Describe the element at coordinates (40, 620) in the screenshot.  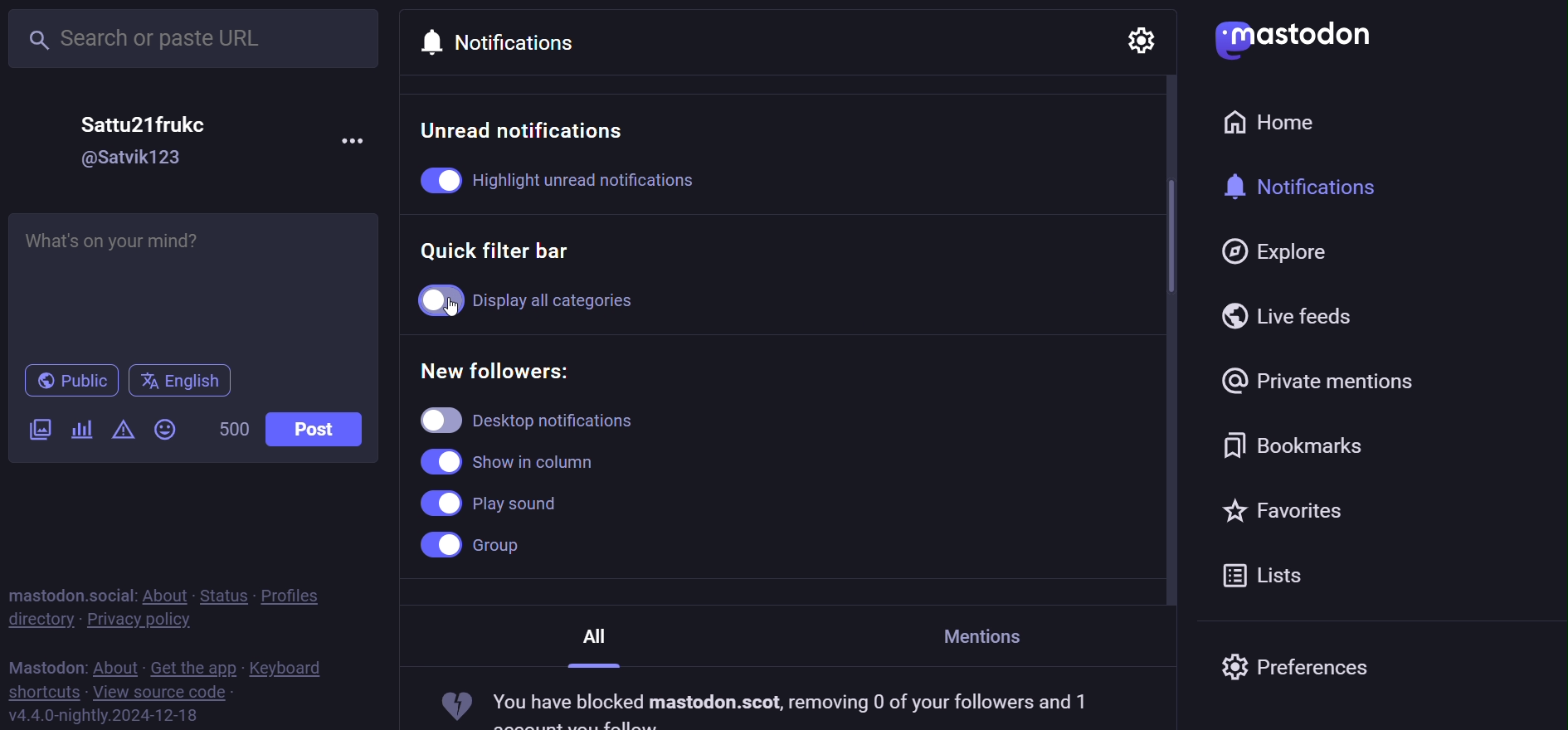
I see `directory` at that location.